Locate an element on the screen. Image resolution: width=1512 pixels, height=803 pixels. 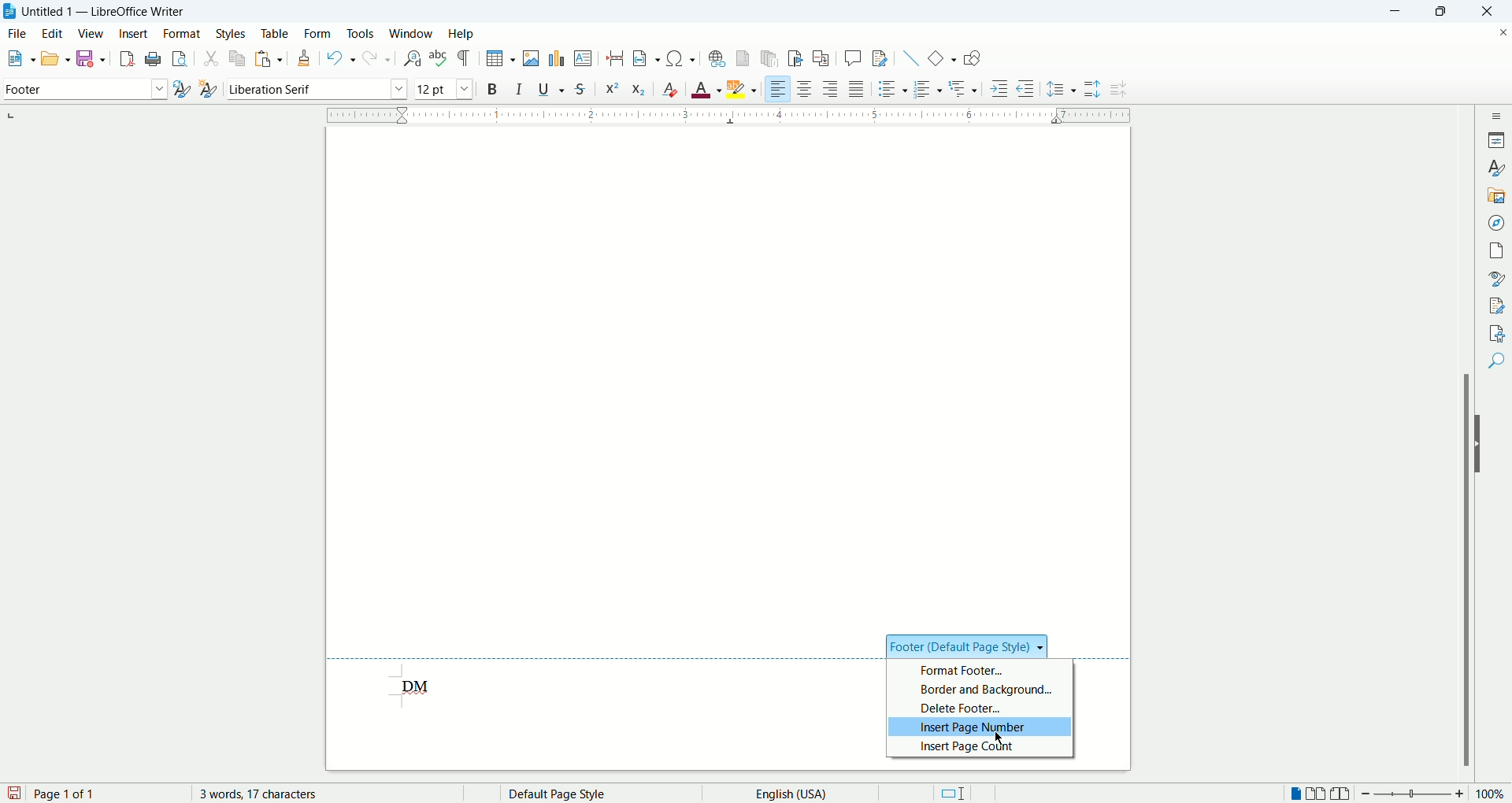
insert text is located at coordinates (582, 59).